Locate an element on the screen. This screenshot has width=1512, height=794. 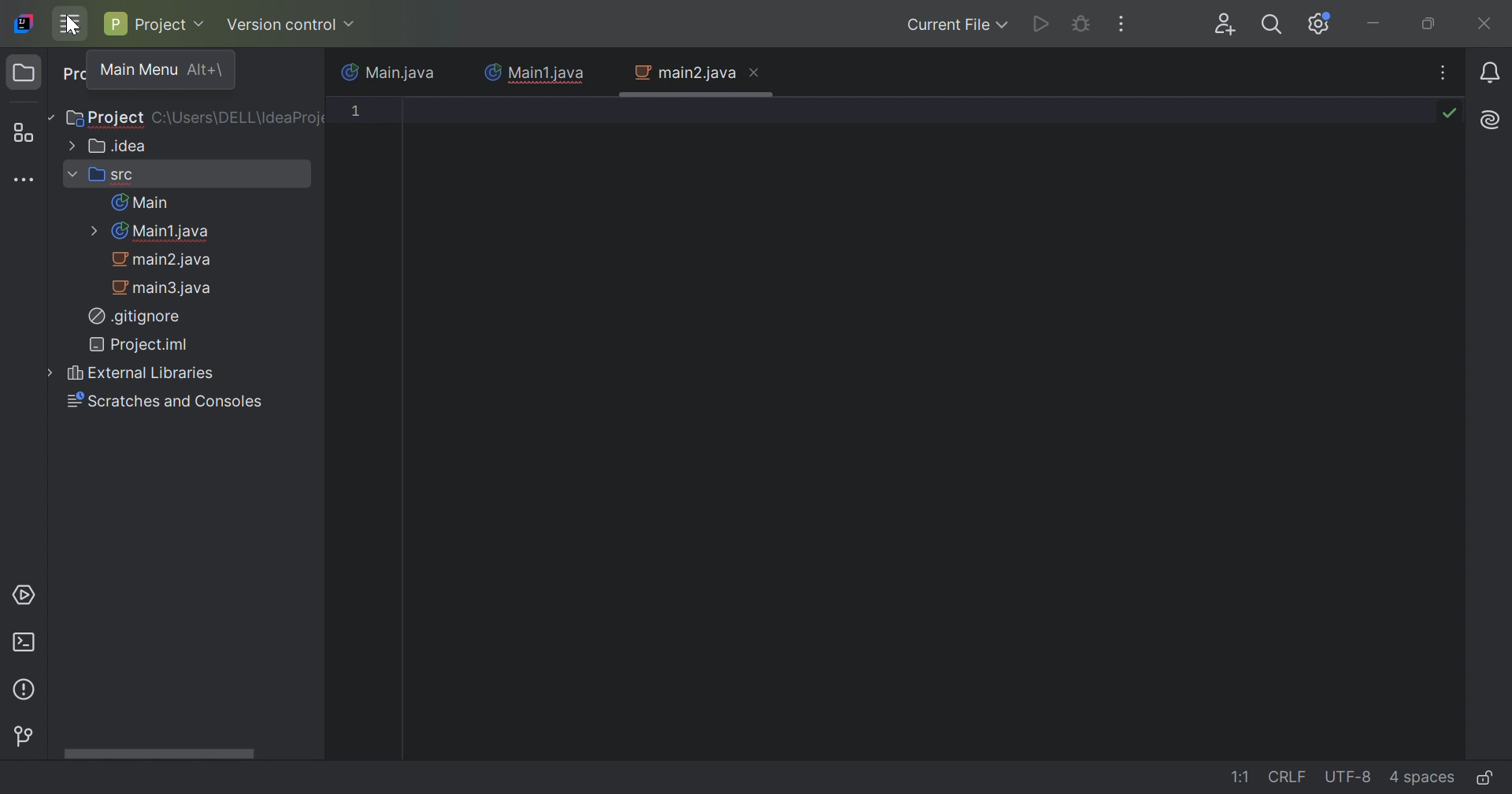
Problems is located at coordinates (29, 691).